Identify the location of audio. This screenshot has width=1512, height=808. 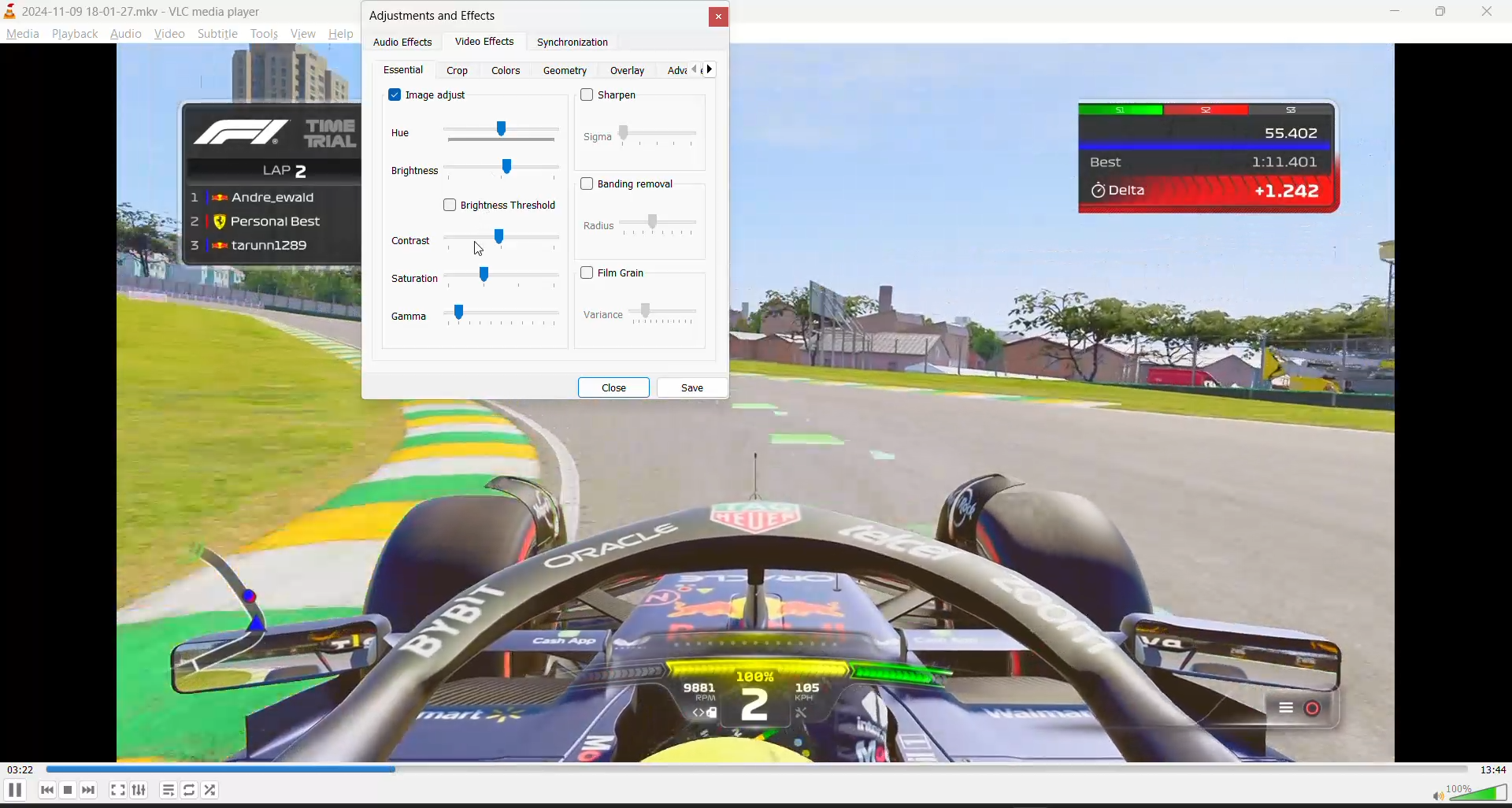
(123, 32).